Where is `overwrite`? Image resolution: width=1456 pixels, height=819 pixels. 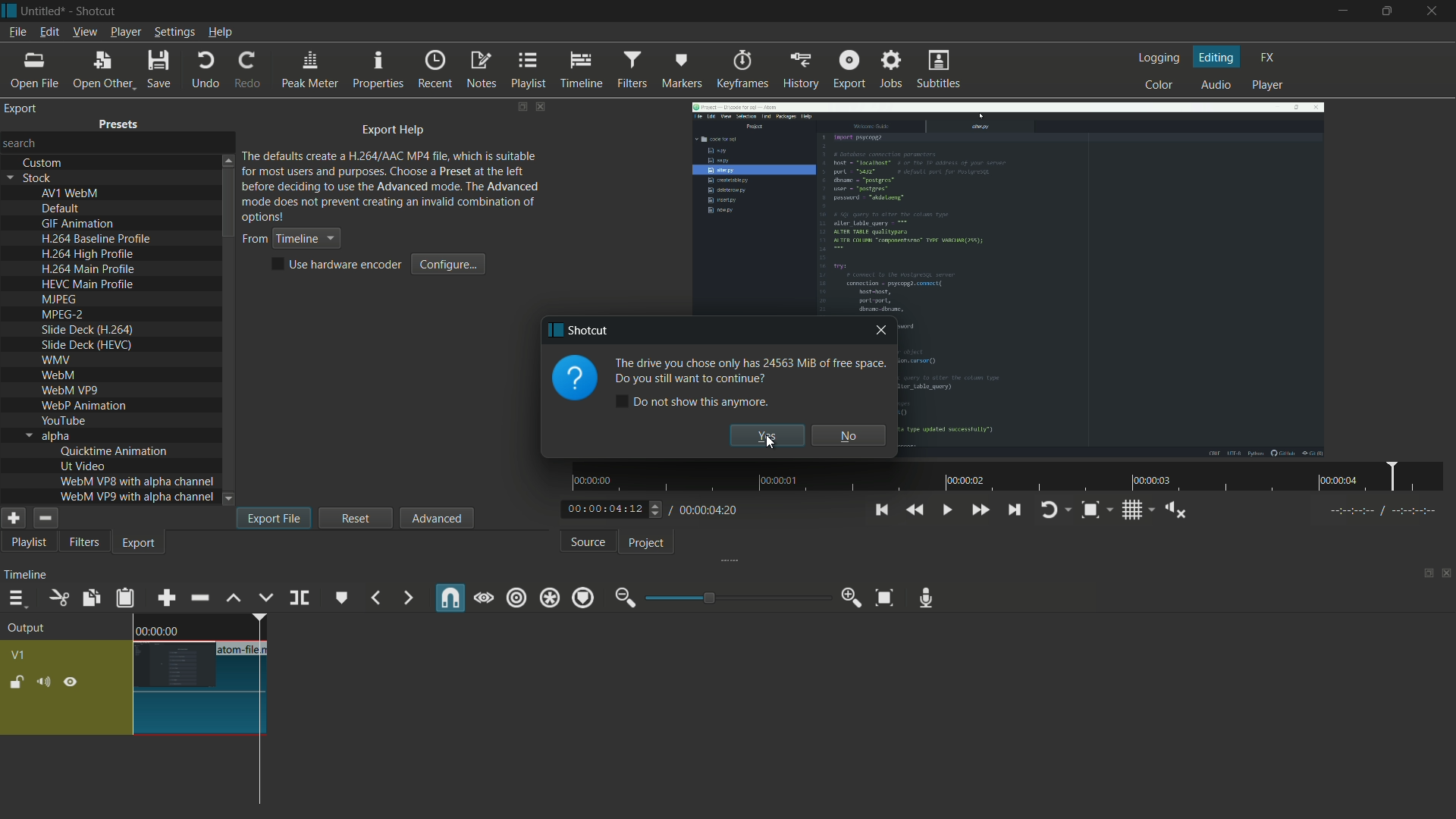
overwrite is located at coordinates (266, 599).